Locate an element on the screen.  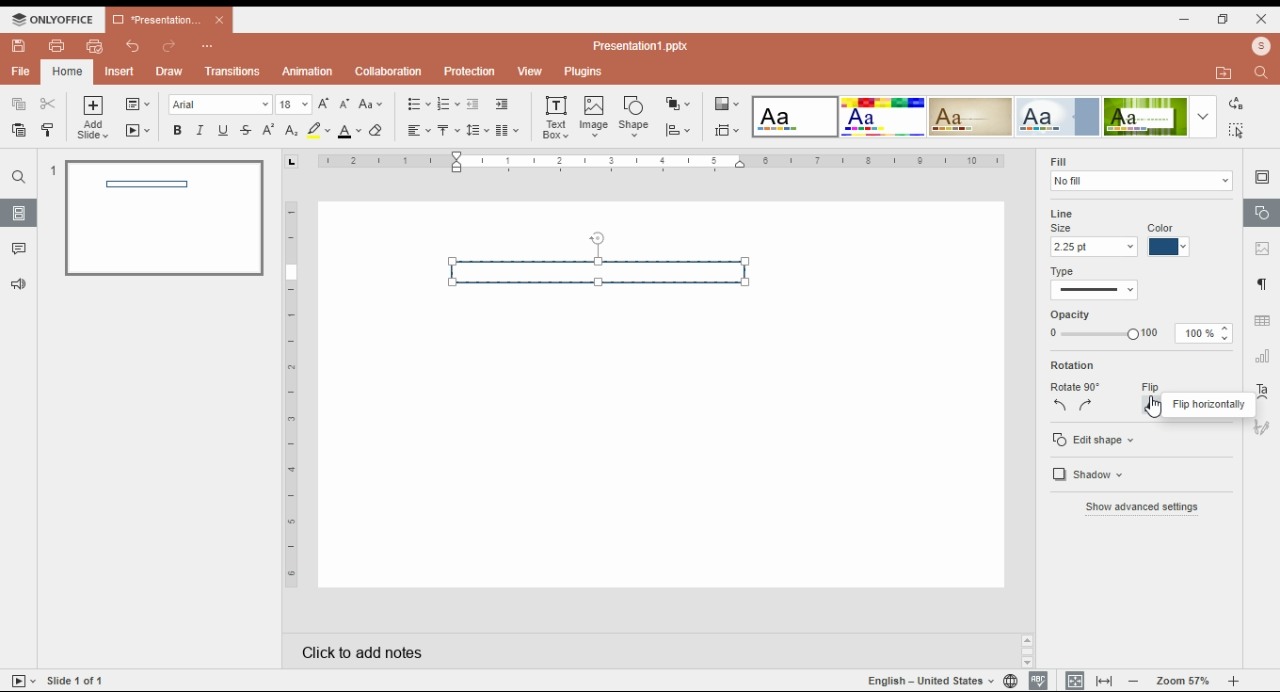
slide 1 is located at coordinates (164, 219).